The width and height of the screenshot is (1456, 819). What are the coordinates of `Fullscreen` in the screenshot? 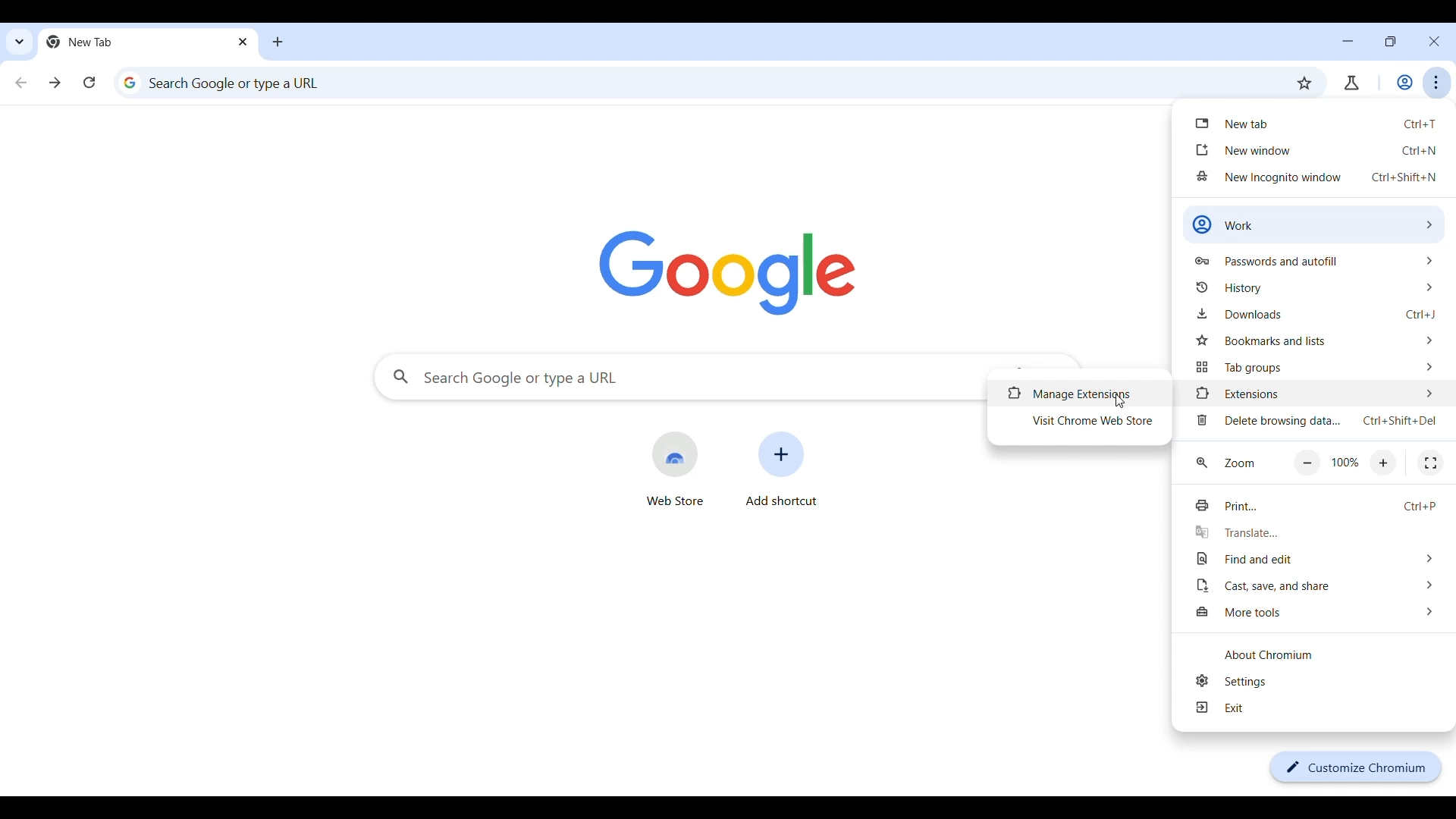 It's located at (1430, 463).